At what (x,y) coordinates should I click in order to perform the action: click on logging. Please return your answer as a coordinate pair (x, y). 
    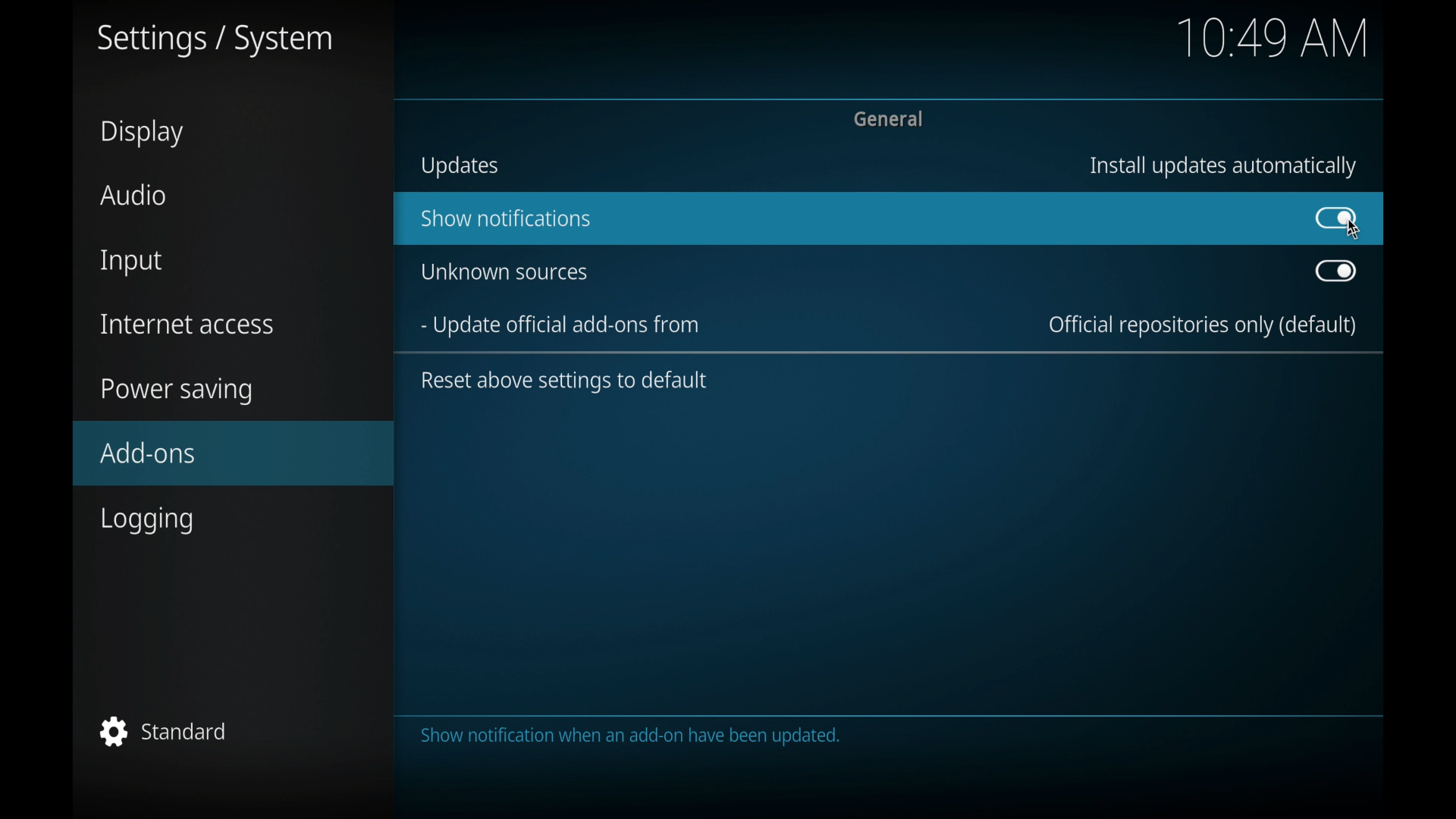
    Looking at the image, I should click on (146, 520).